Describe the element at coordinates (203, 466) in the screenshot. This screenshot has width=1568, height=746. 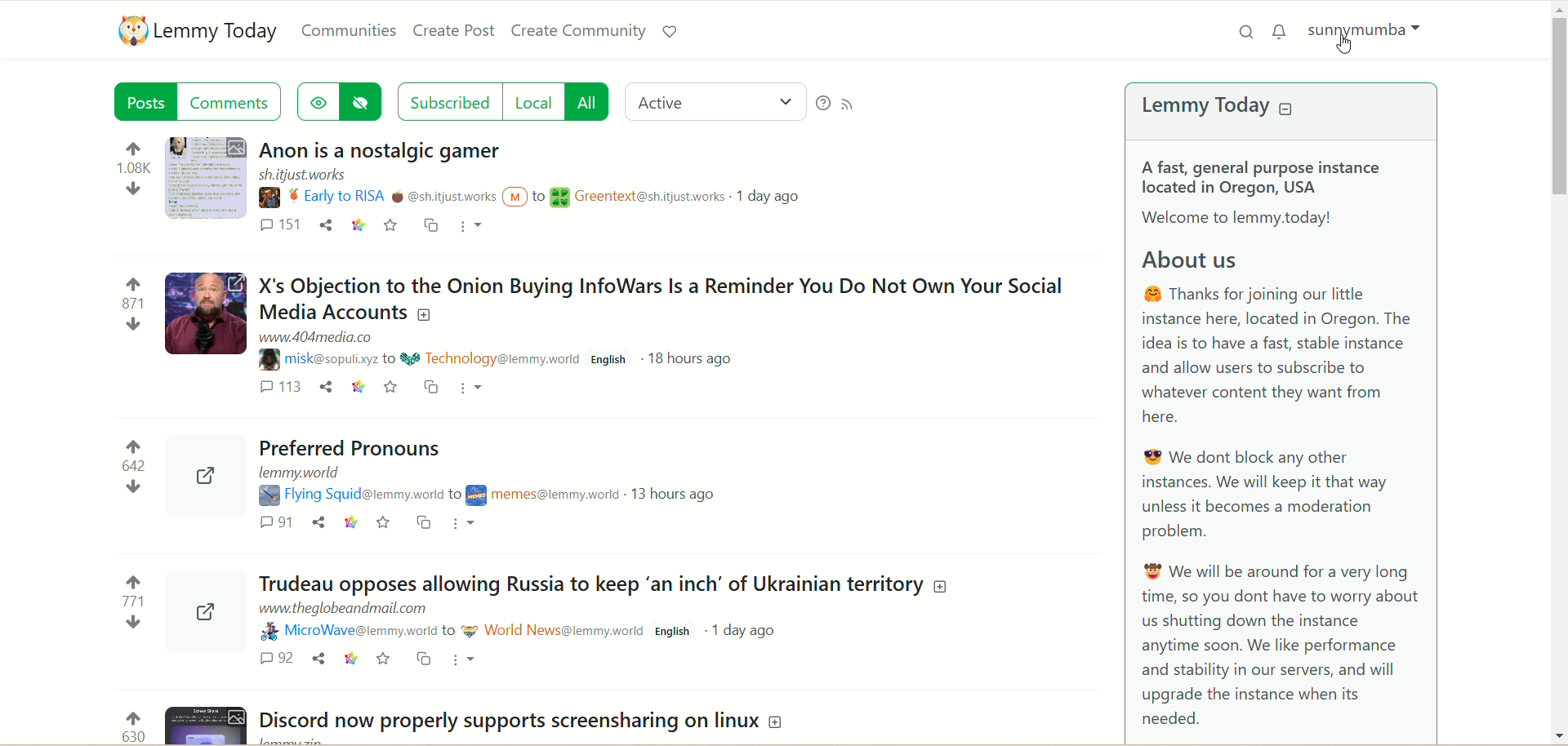
I see `Can be expanded` at that location.